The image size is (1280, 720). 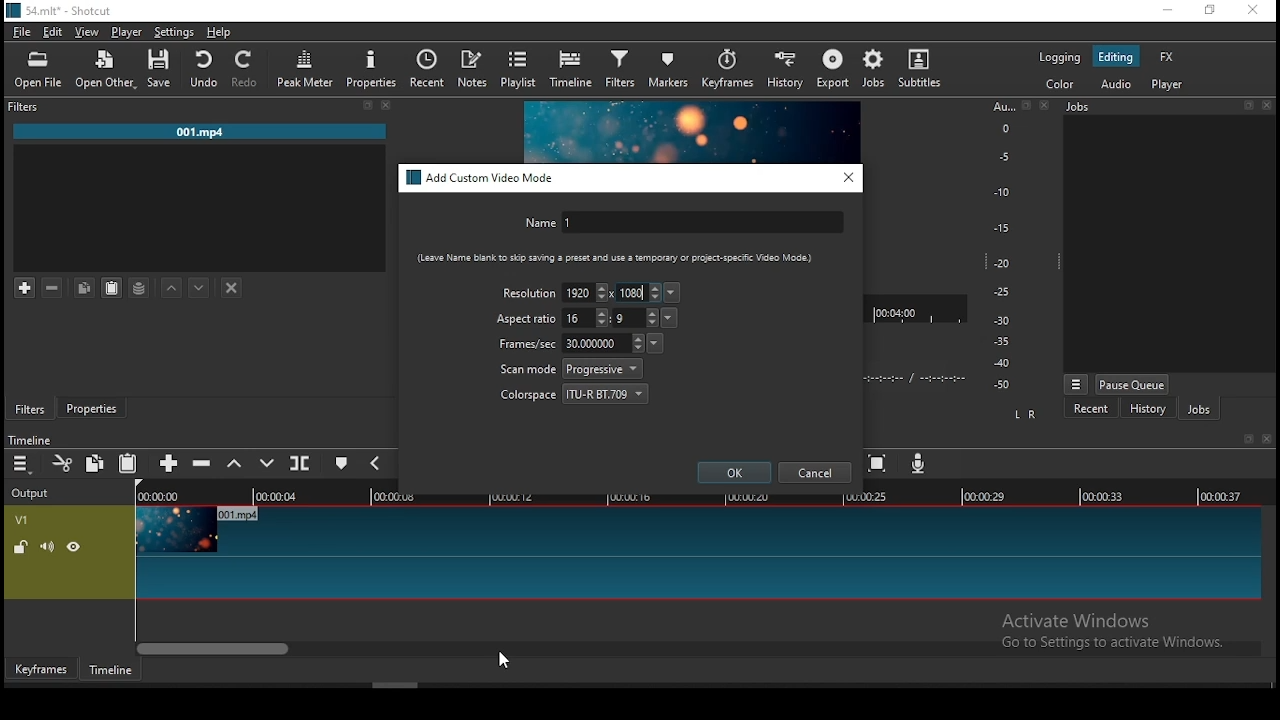 I want to click on 00:04:00, so click(x=898, y=309).